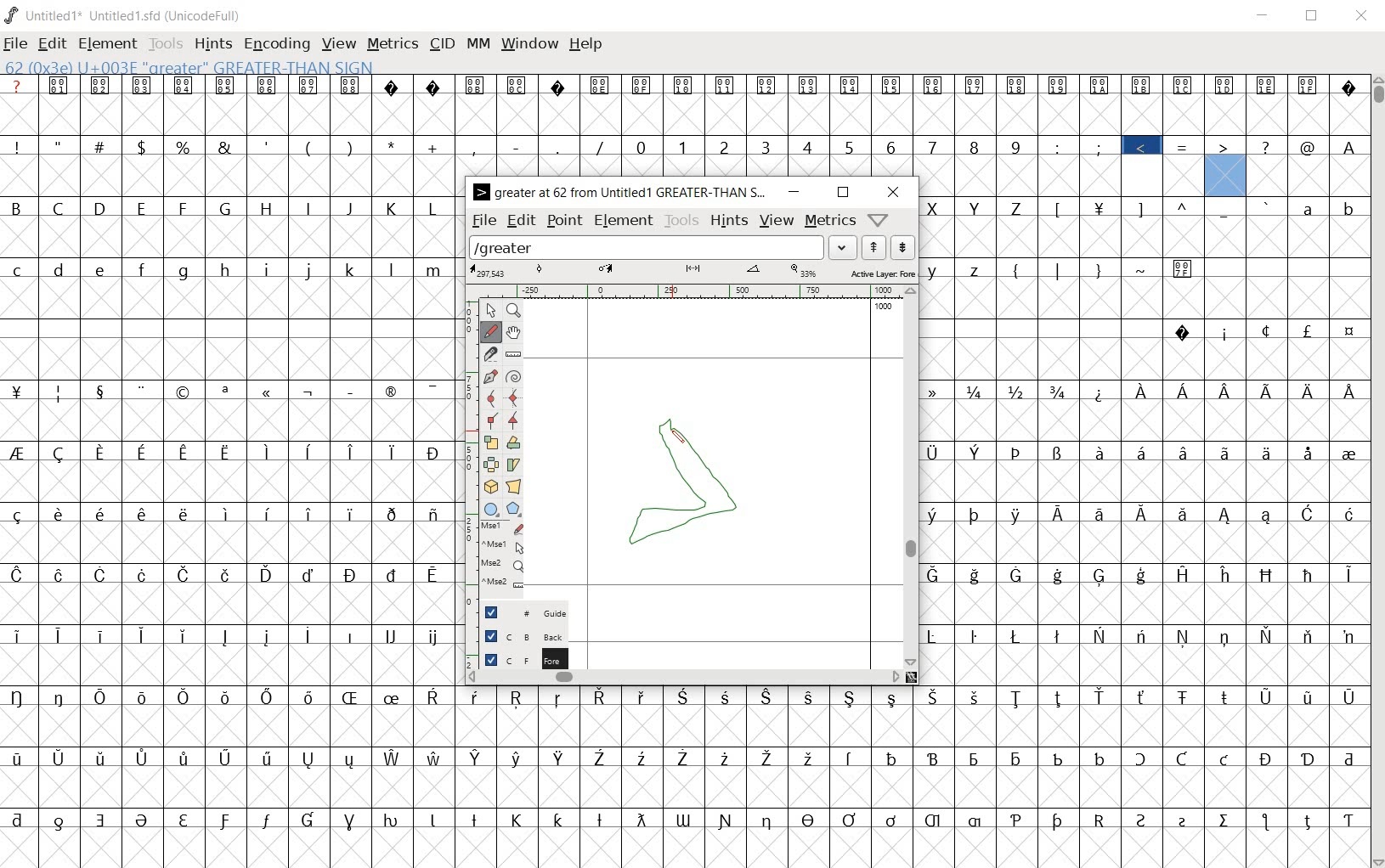 Image resolution: width=1385 pixels, height=868 pixels. I want to click on rectangle or ellipse, so click(489, 508).